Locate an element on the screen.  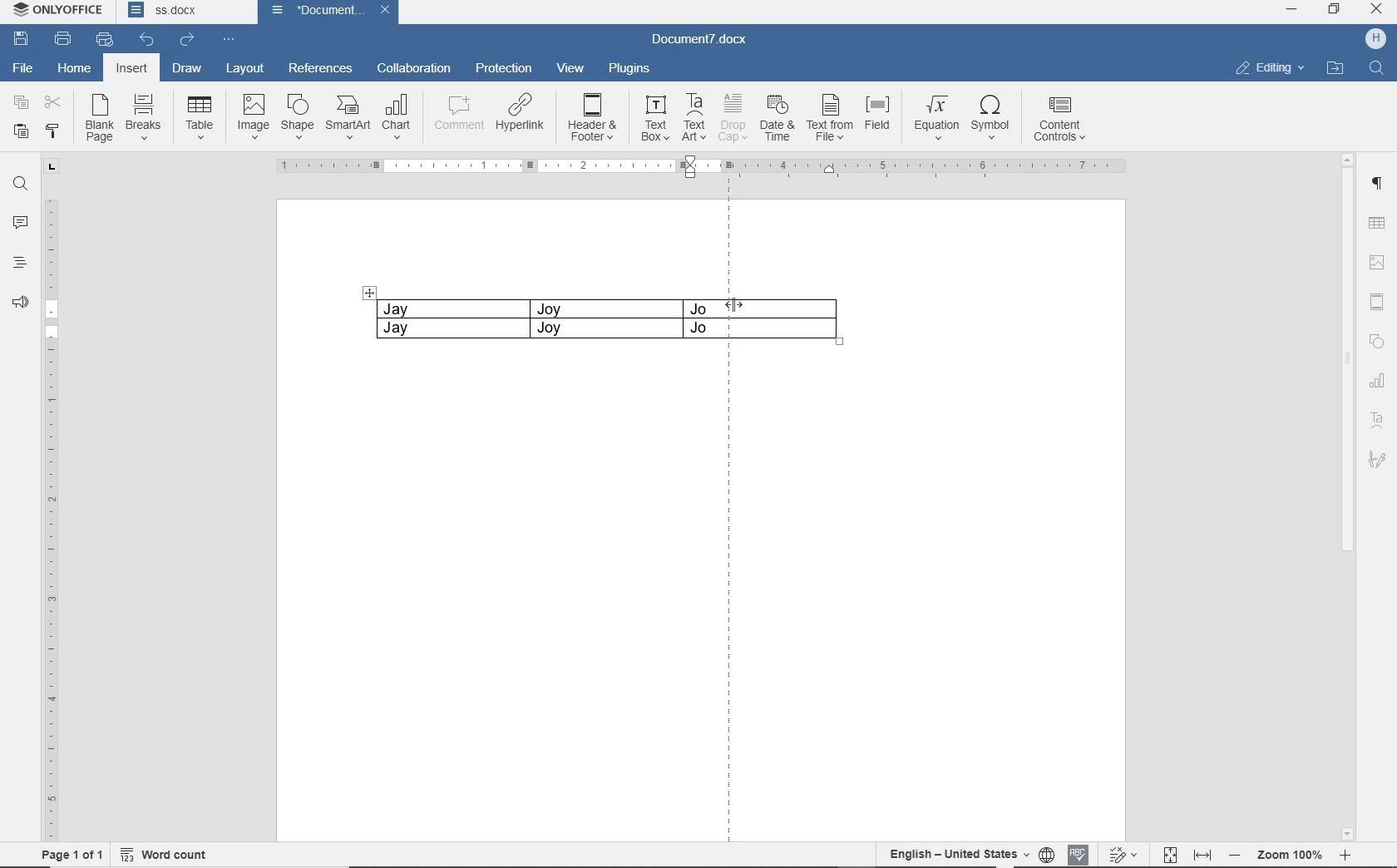
HEADER & FOOTER is located at coordinates (594, 118).